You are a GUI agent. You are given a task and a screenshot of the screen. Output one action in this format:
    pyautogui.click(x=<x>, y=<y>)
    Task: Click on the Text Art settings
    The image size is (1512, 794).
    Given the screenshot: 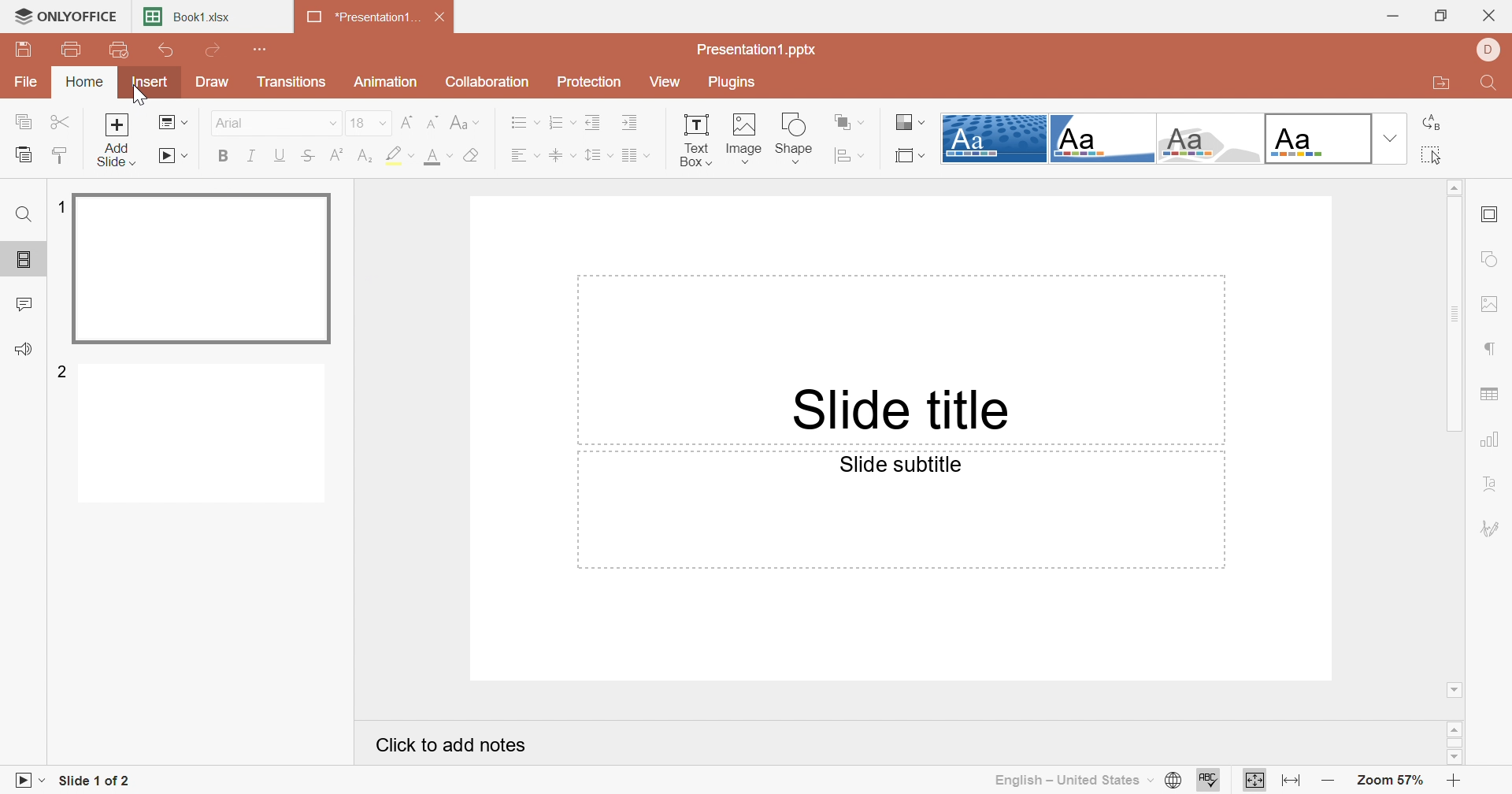 What is the action you would take?
    pyautogui.click(x=1491, y=485)
    